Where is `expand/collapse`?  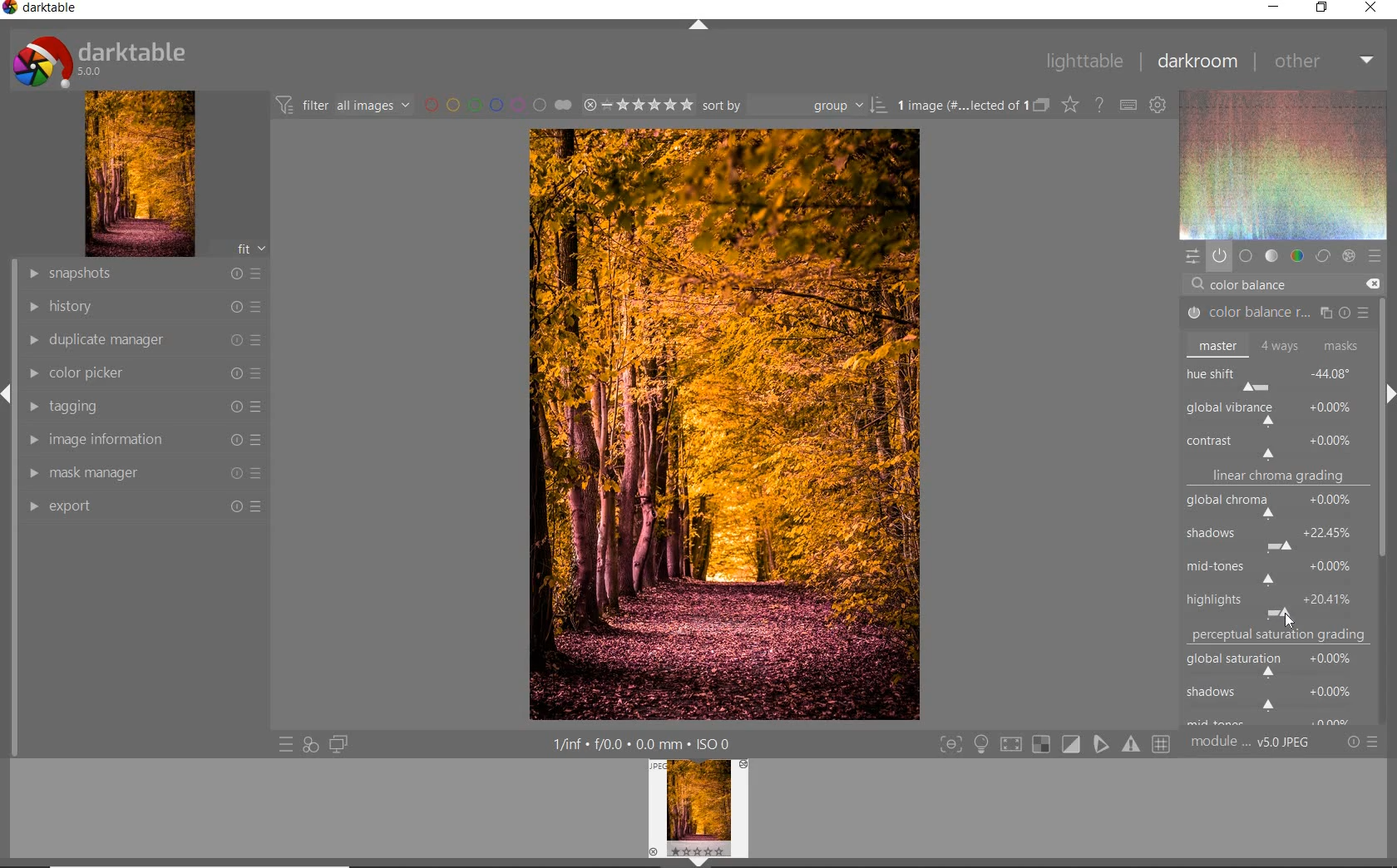 expand/collapse is located at coordinates (1389, 388).